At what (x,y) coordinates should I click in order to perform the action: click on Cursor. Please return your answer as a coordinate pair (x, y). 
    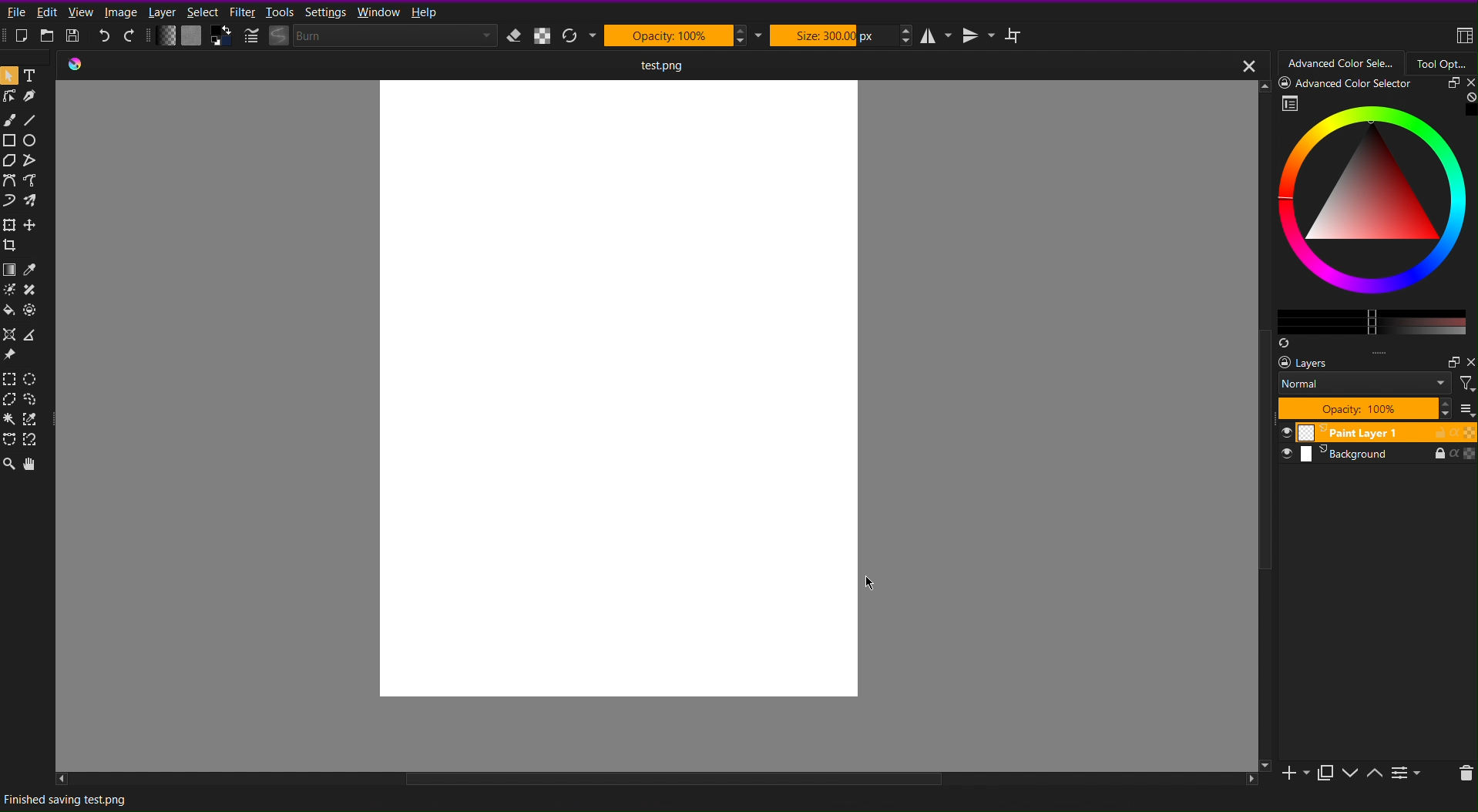
    Looking at the image, I should click on (875, 581).